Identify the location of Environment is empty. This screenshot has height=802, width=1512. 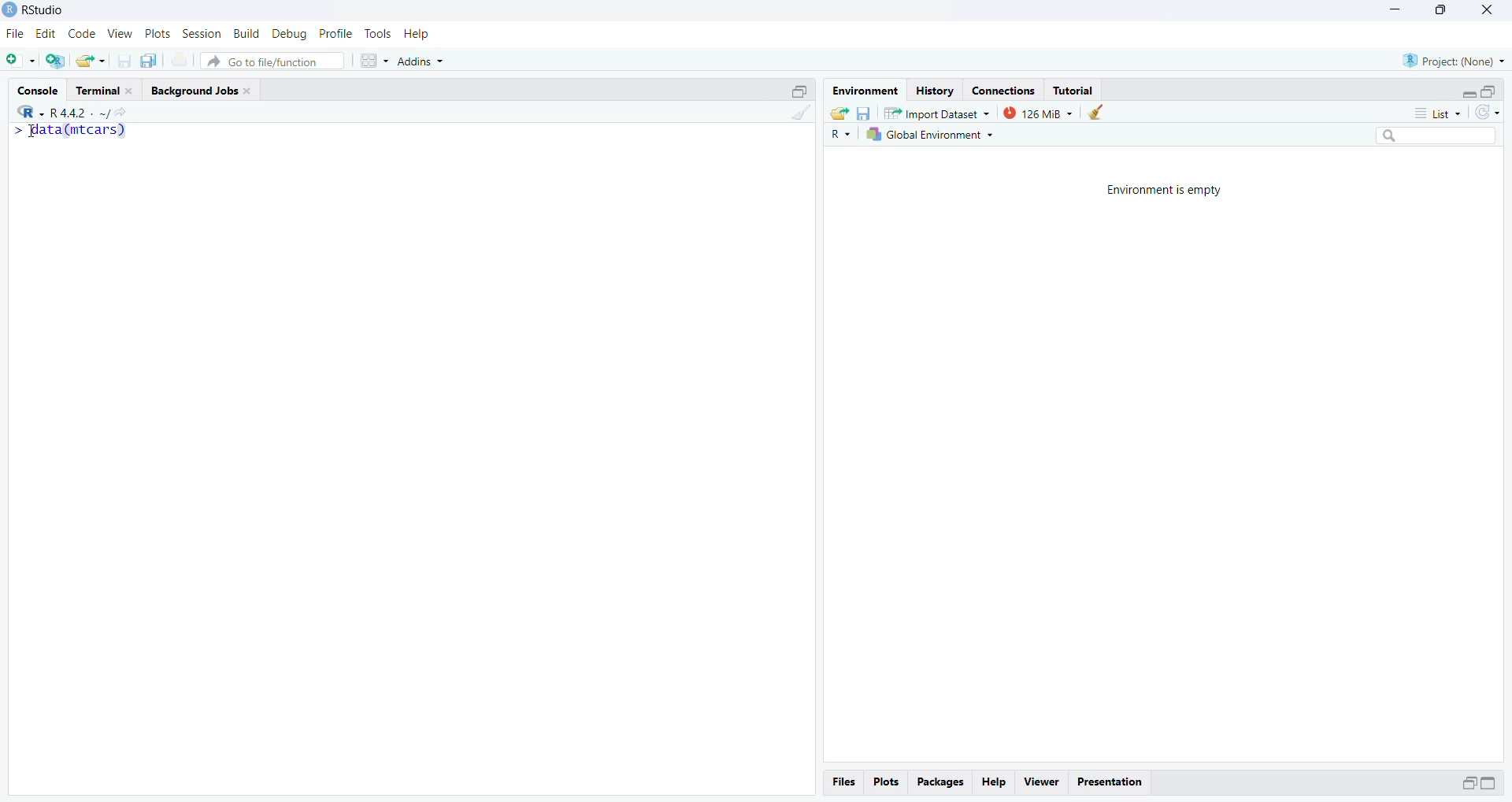
(1162, 190).